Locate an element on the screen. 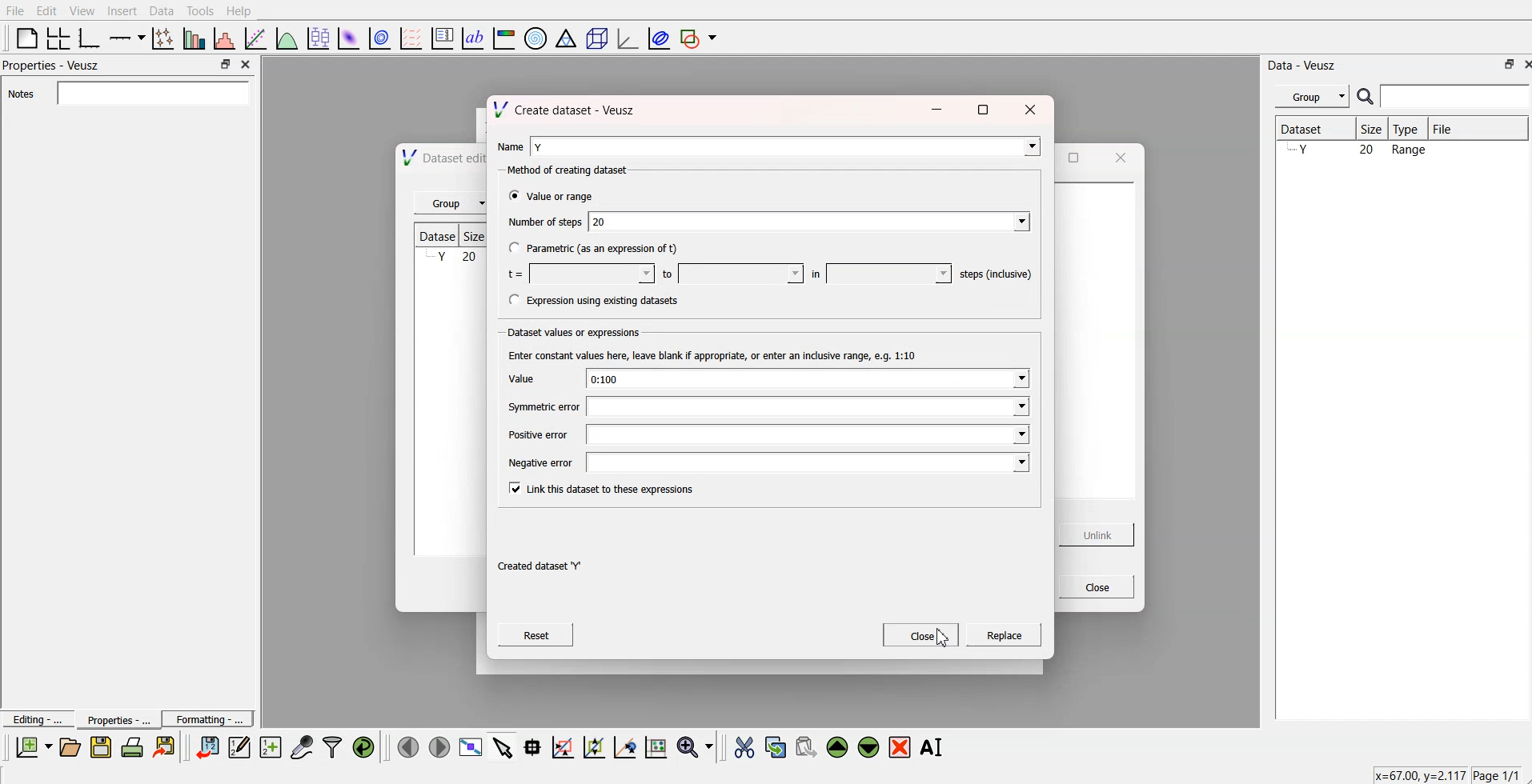 The image size is (1532, 784). Method of creating dataset is located at coordinates (561, 170).